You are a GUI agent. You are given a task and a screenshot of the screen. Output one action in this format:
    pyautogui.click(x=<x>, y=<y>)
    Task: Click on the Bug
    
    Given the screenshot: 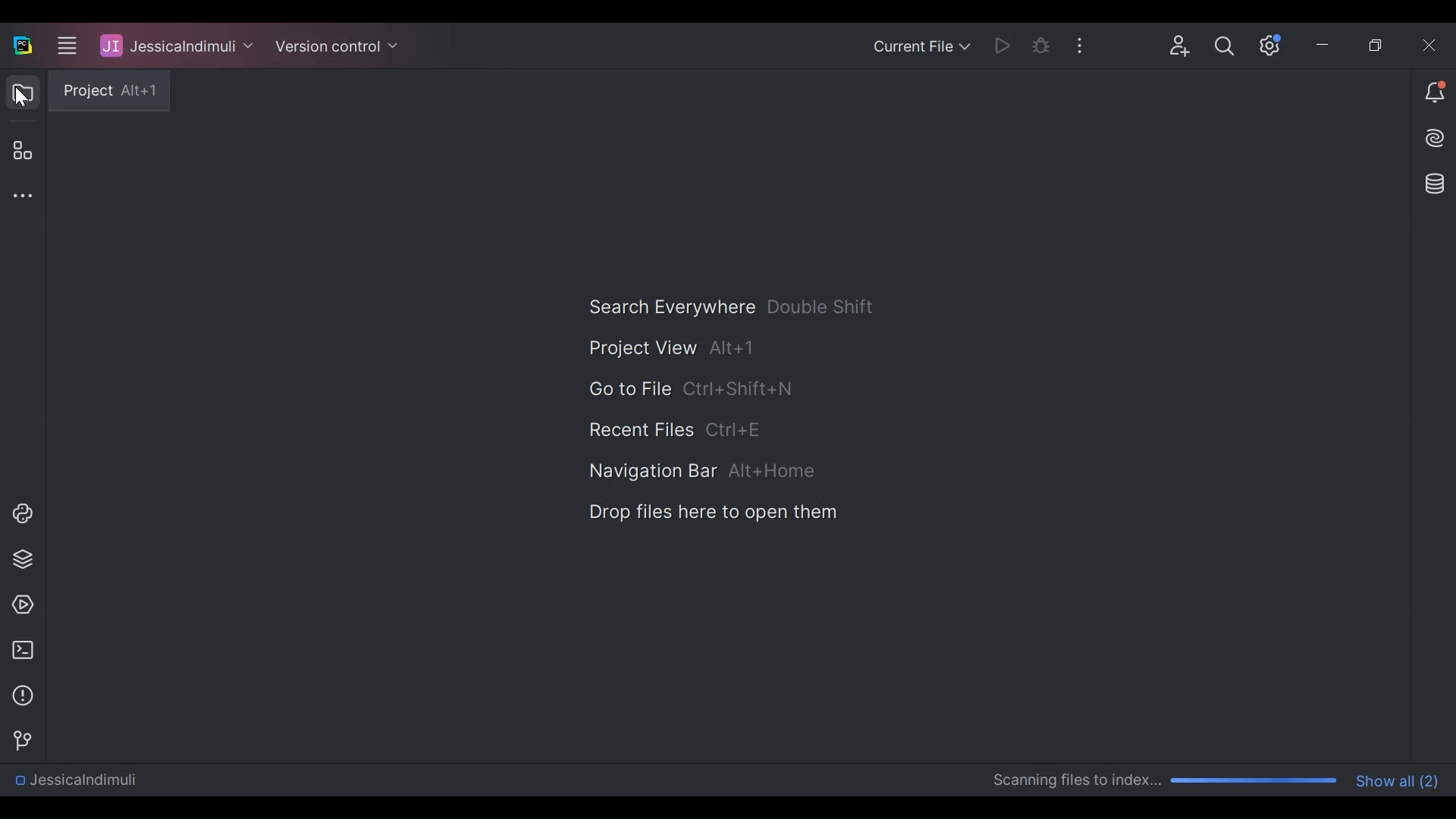 What is the action you would take?
    pyautogui.click(x=1040, y=45)
    